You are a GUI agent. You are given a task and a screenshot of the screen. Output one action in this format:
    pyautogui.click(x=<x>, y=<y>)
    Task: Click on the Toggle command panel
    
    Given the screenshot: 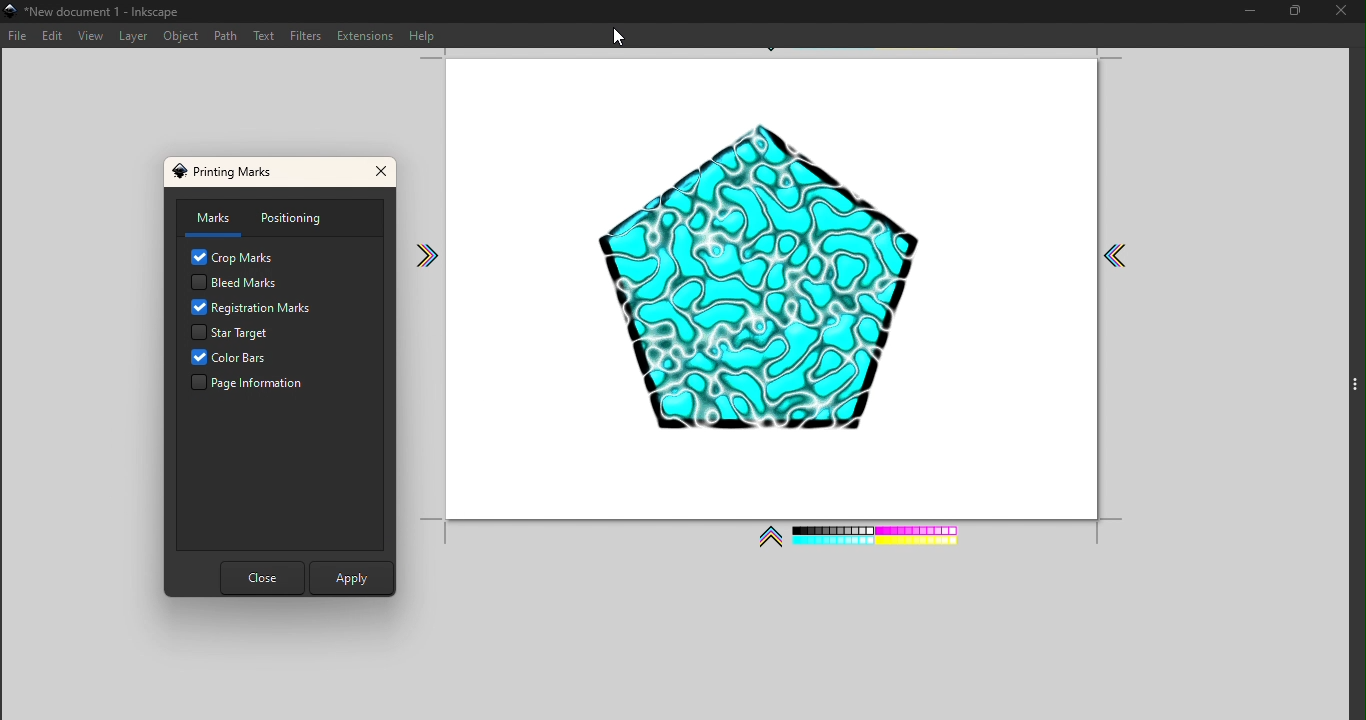 What is the action you would take?
    pyautogui.click(x=1356, y=385)
    